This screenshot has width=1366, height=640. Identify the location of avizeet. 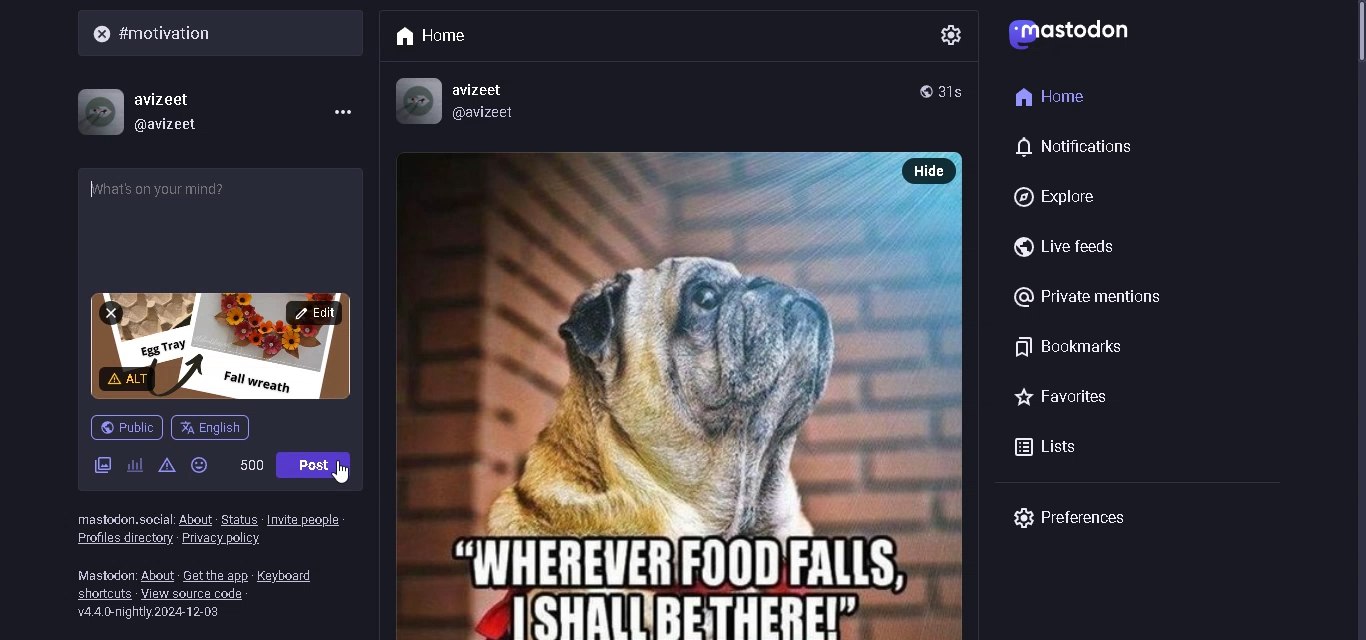
(482, 89).